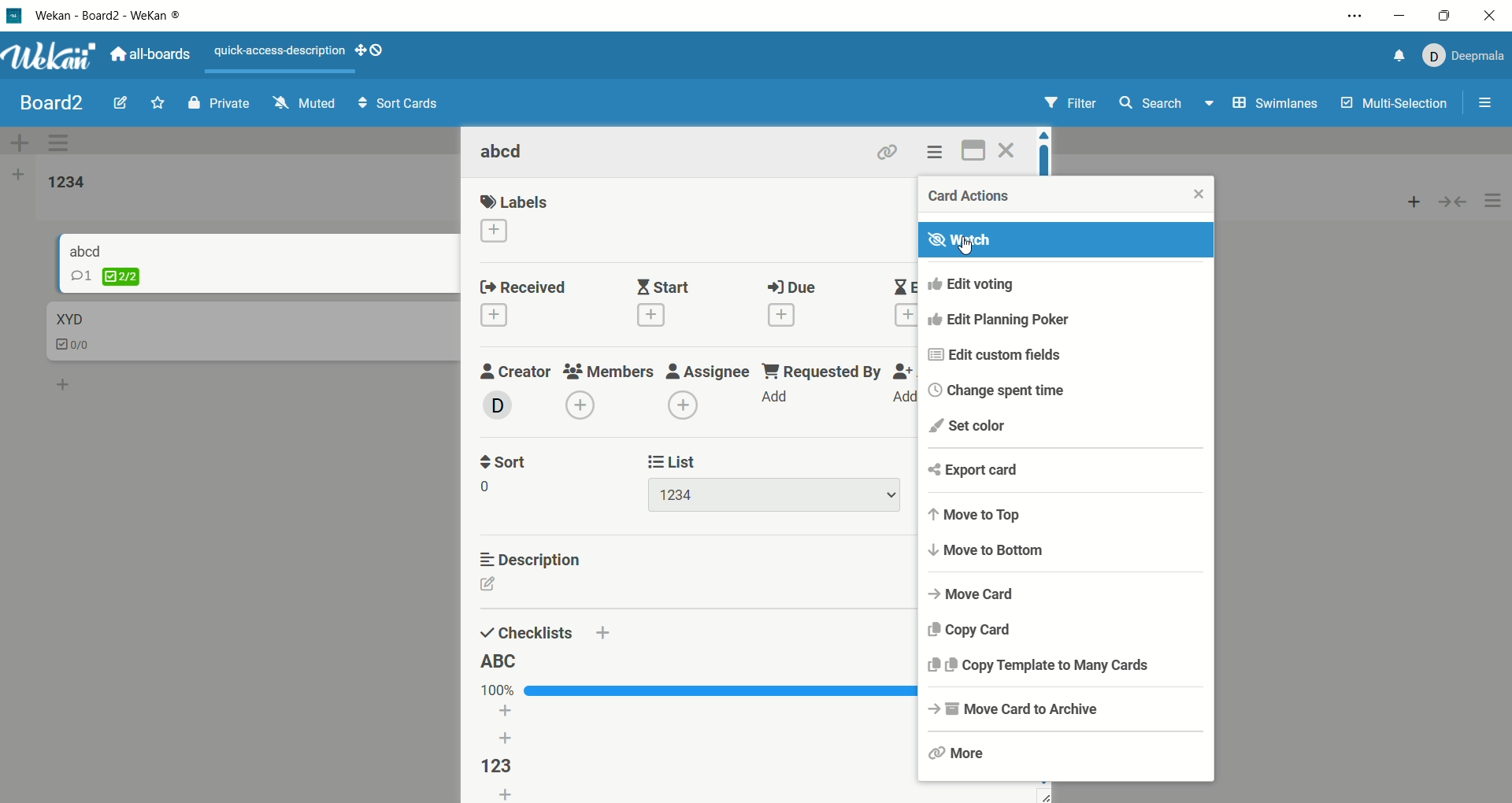 This screenshot has height=803, width=1512. What do you see at coordinates (57, 382) in the screenshot?
I see `add` at bounding box center [57, 382].